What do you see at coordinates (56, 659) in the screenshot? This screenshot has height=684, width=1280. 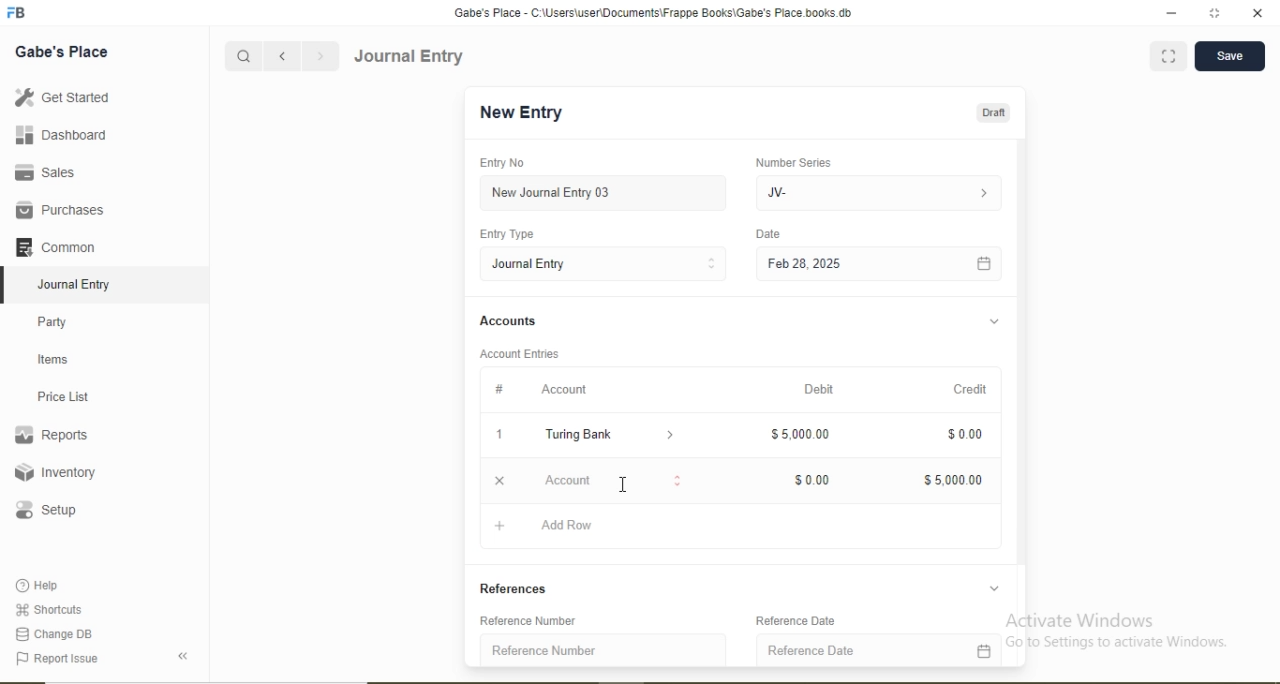 I see `Report Issue` at bounding box center [56, 659].